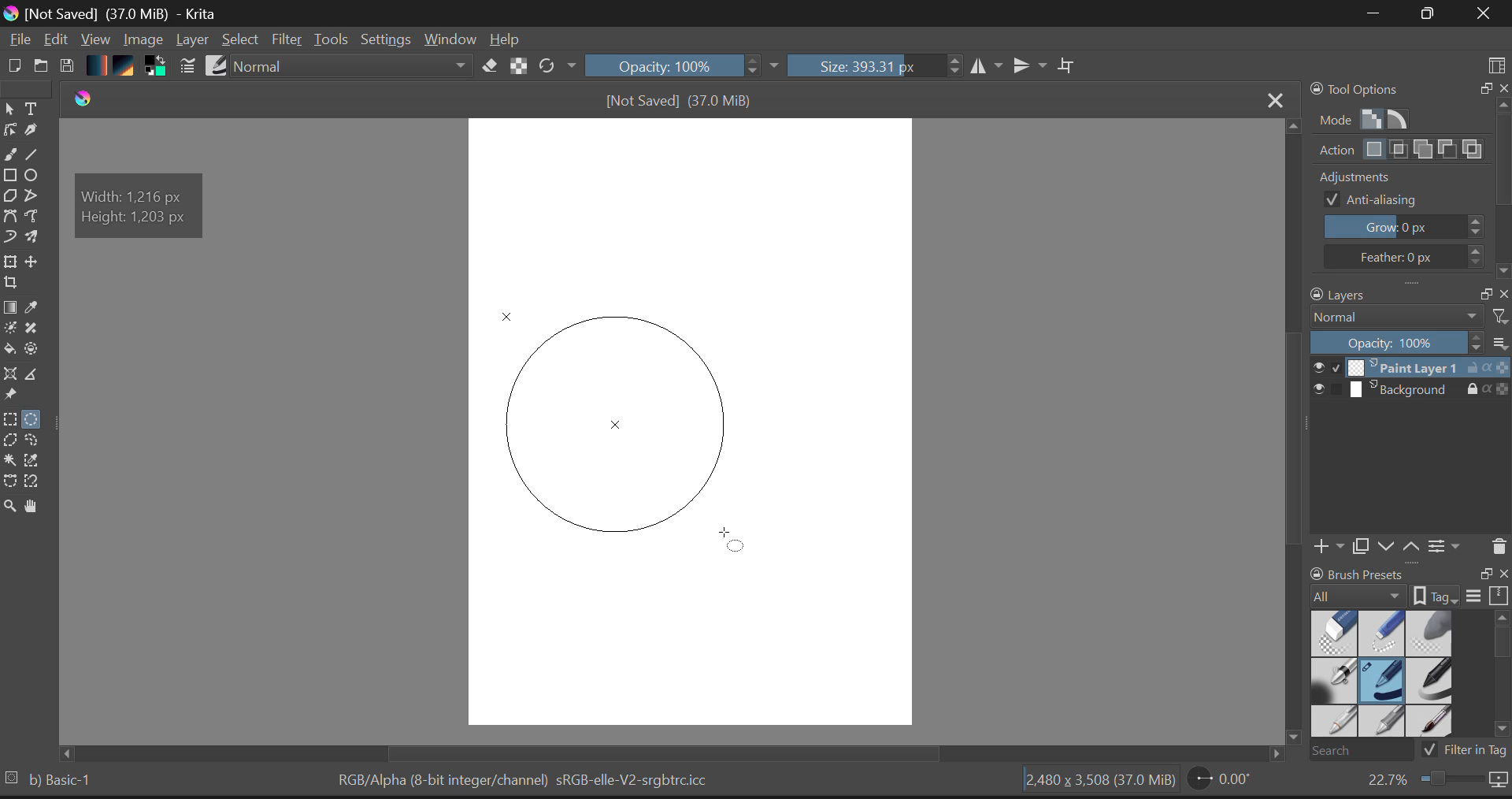 This screenshot has height=799, width=1512. I want to click on Rectangle Selection, so click(9, 421).